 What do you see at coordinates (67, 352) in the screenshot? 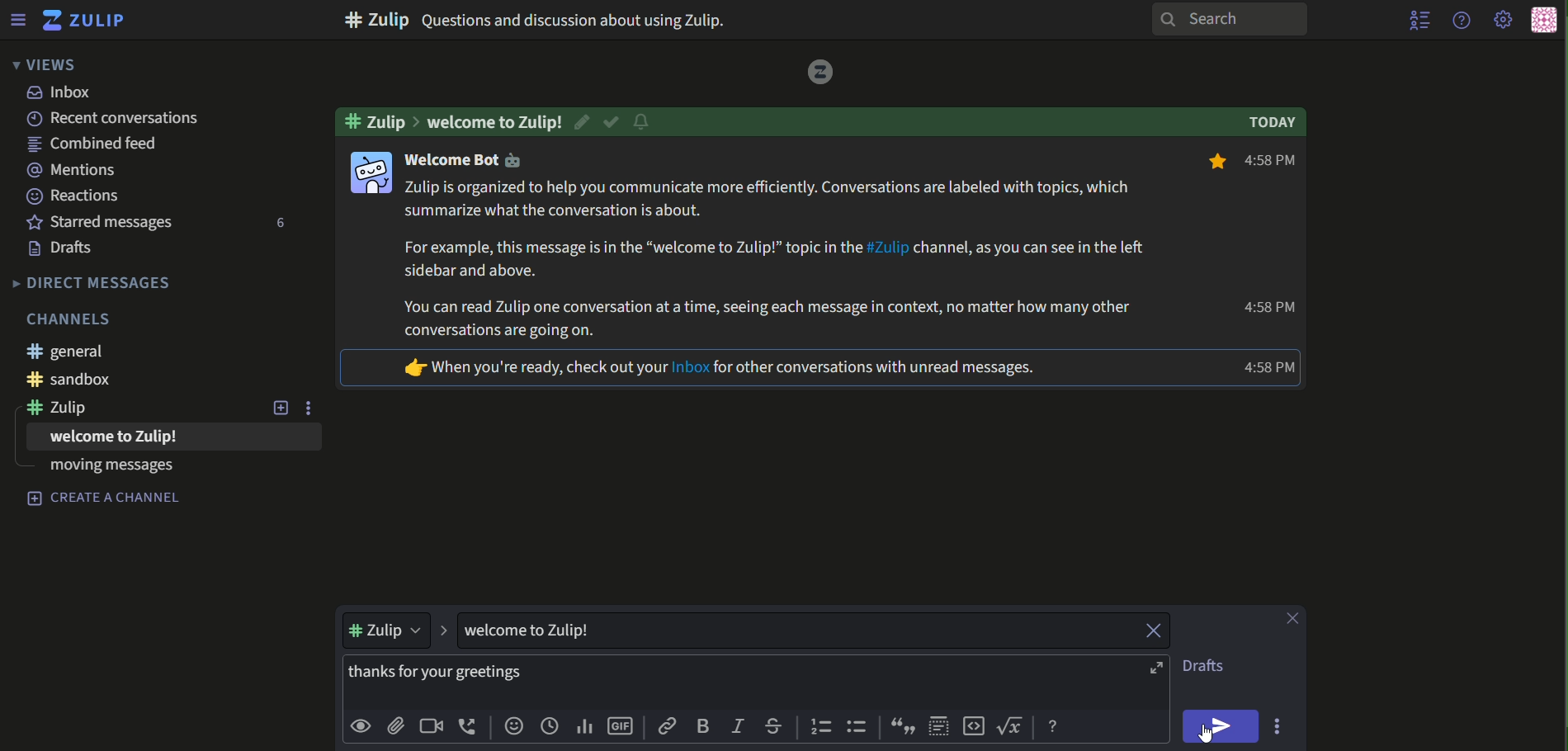
I see `text` at bounding box center [67, 352].